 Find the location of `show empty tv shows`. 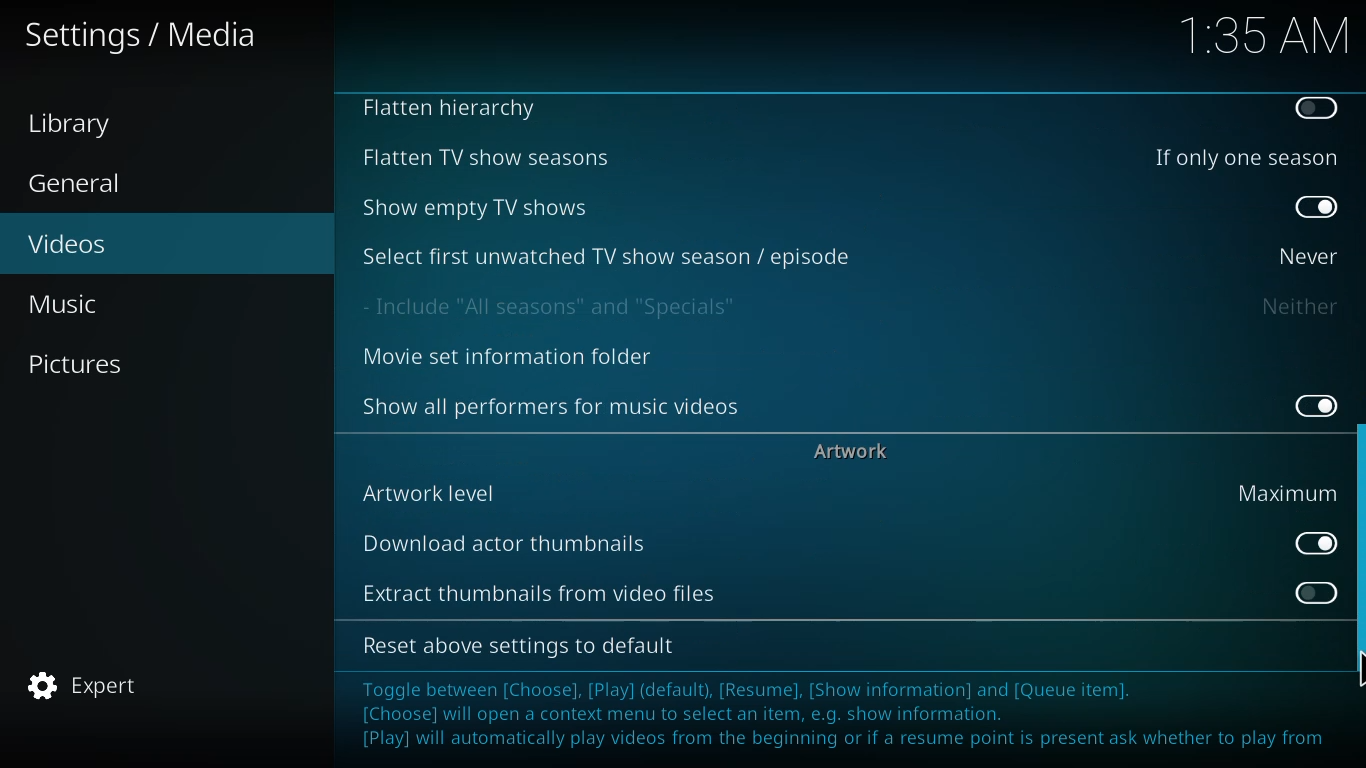

show empty tv shows is located at coordinates (479, 207).